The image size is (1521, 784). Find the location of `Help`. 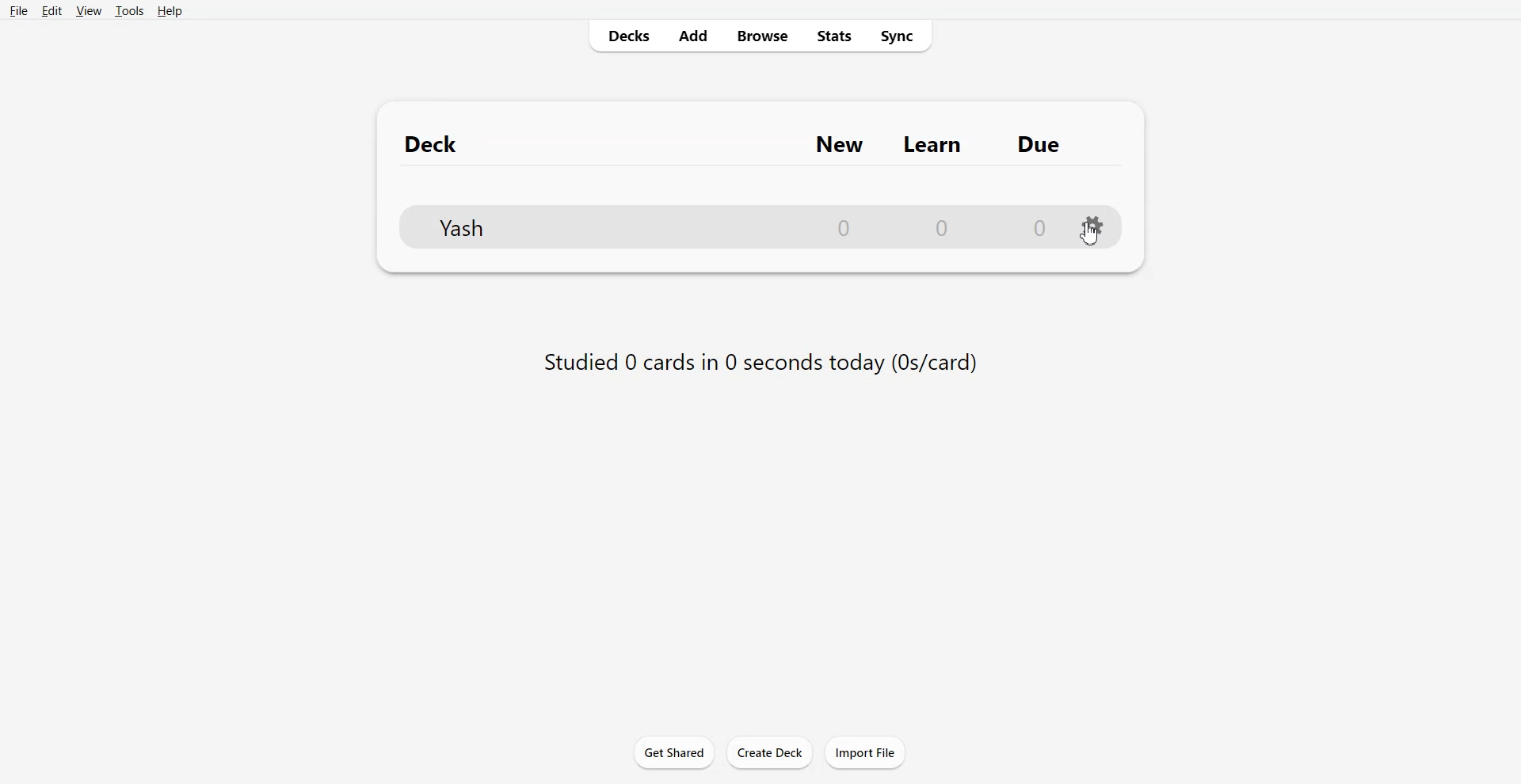

Help is located at coordinates (170, 11).